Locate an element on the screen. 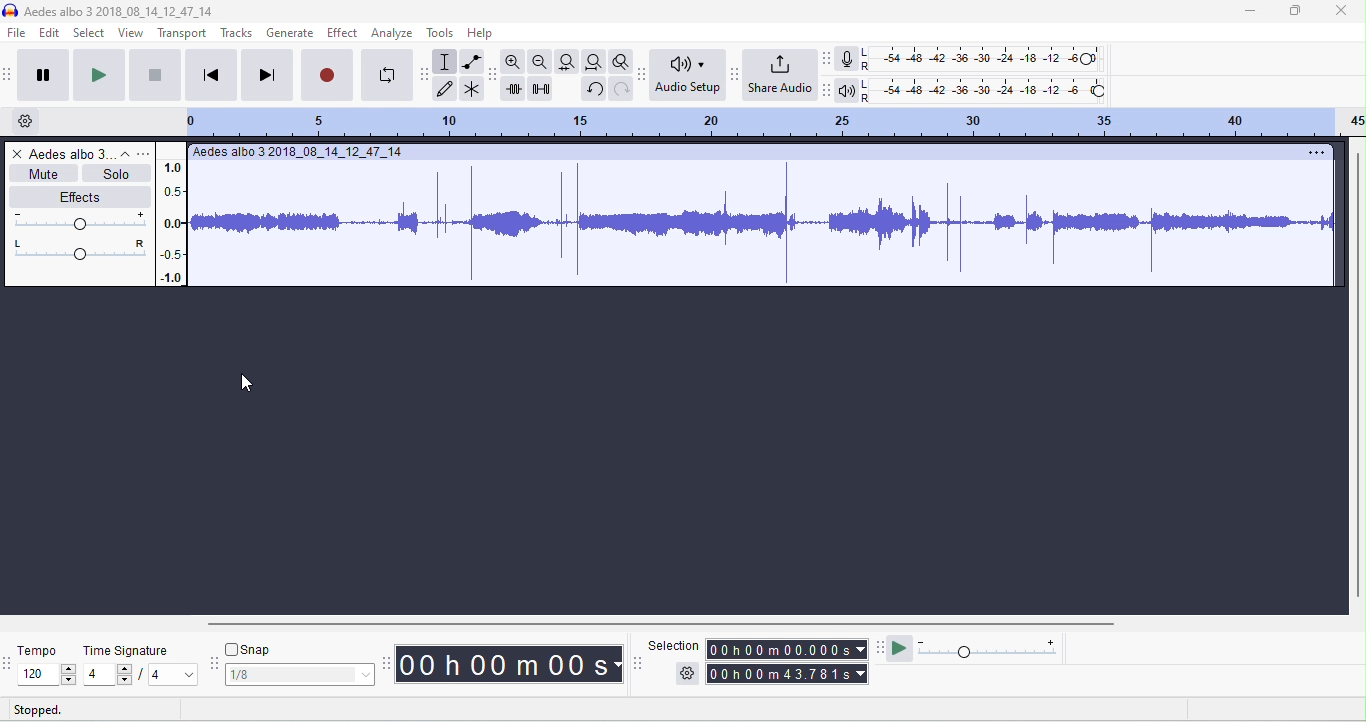  recording meter toolbar is located at coordinates (828, 58).